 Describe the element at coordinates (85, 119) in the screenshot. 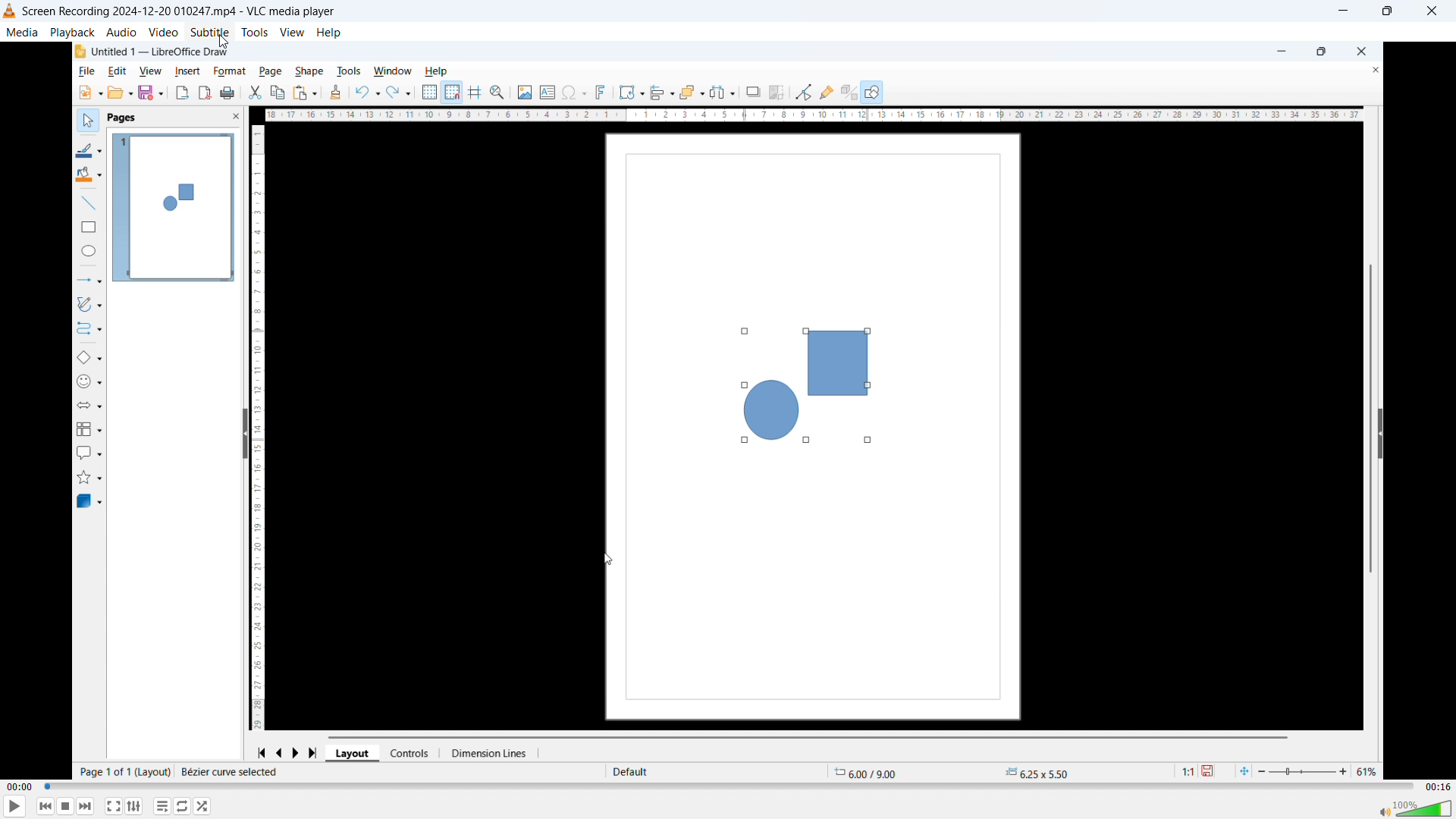

I see `select ` at that location.